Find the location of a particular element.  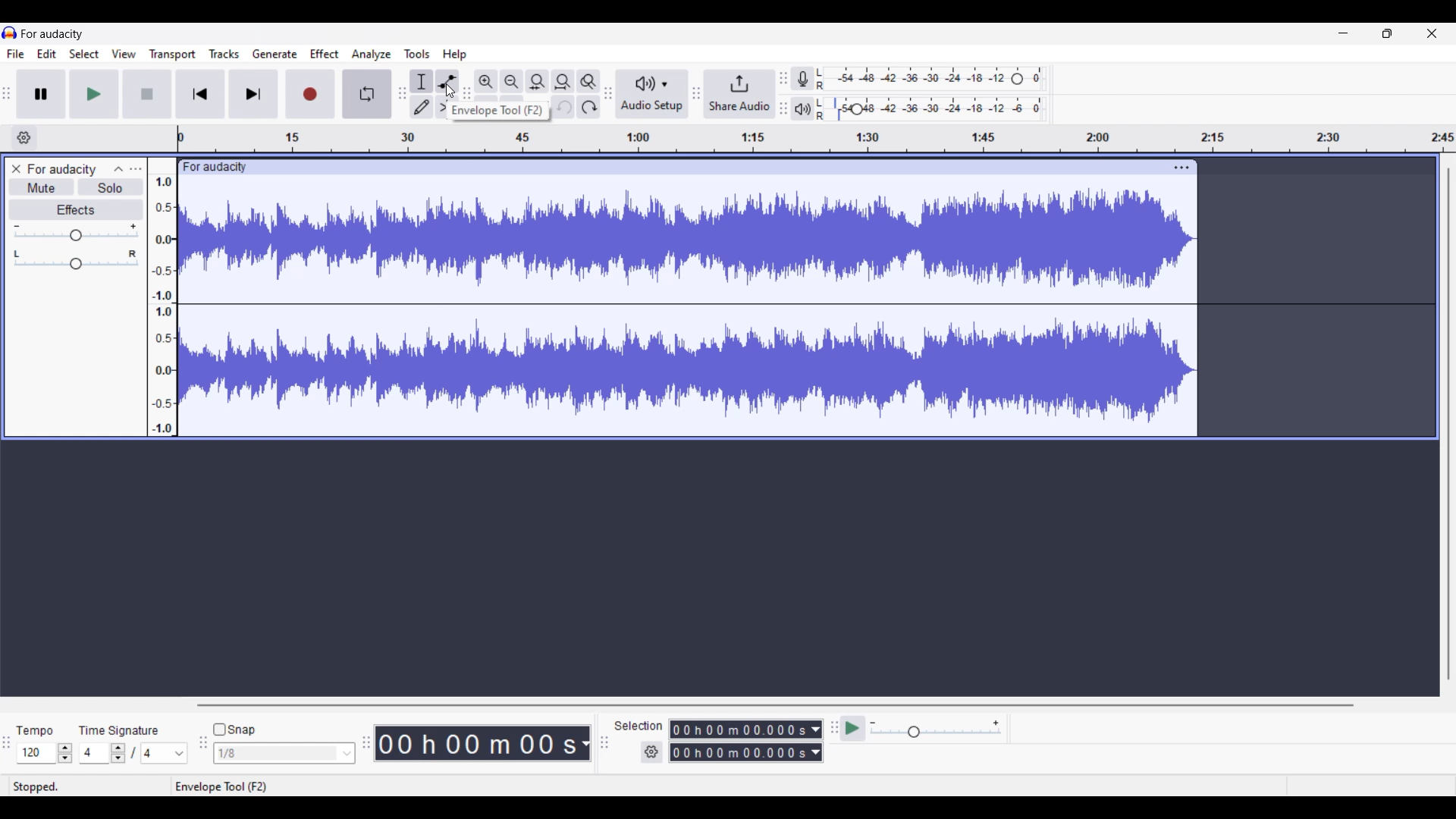

Vertical slide bar is located at coordinates (1449, 425).